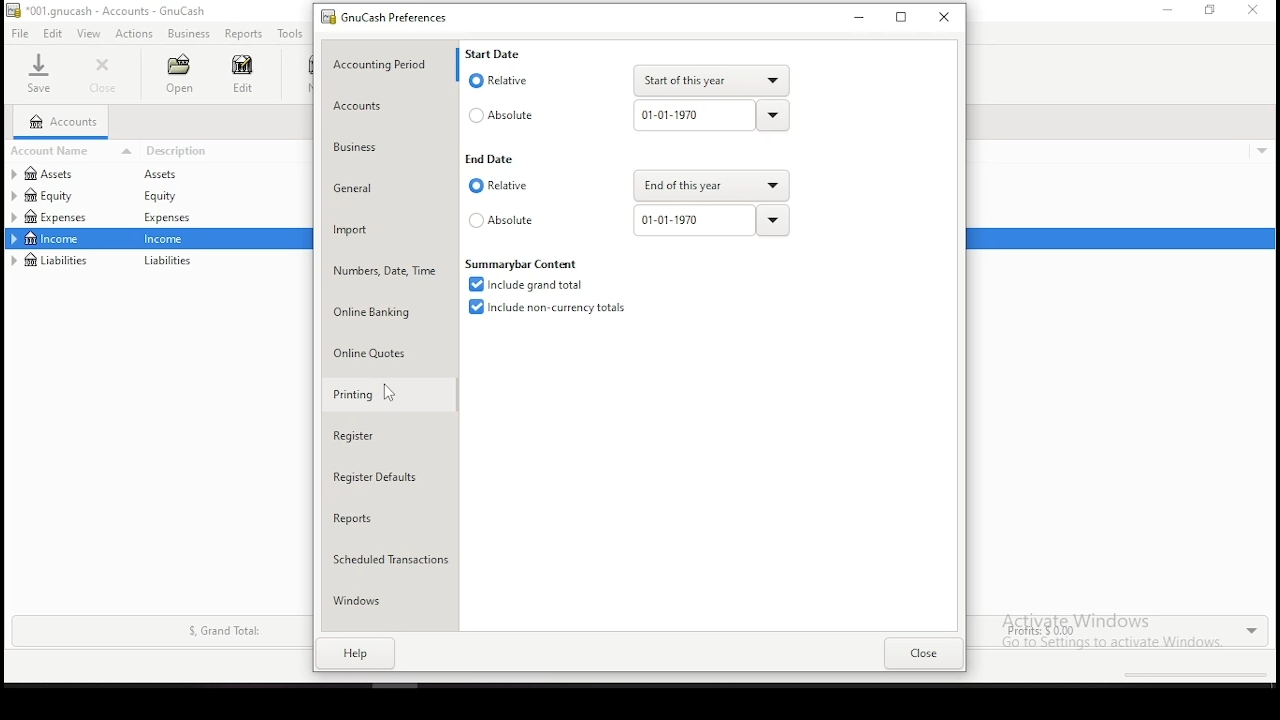  I want to click on minimize, so click(1165, 10).